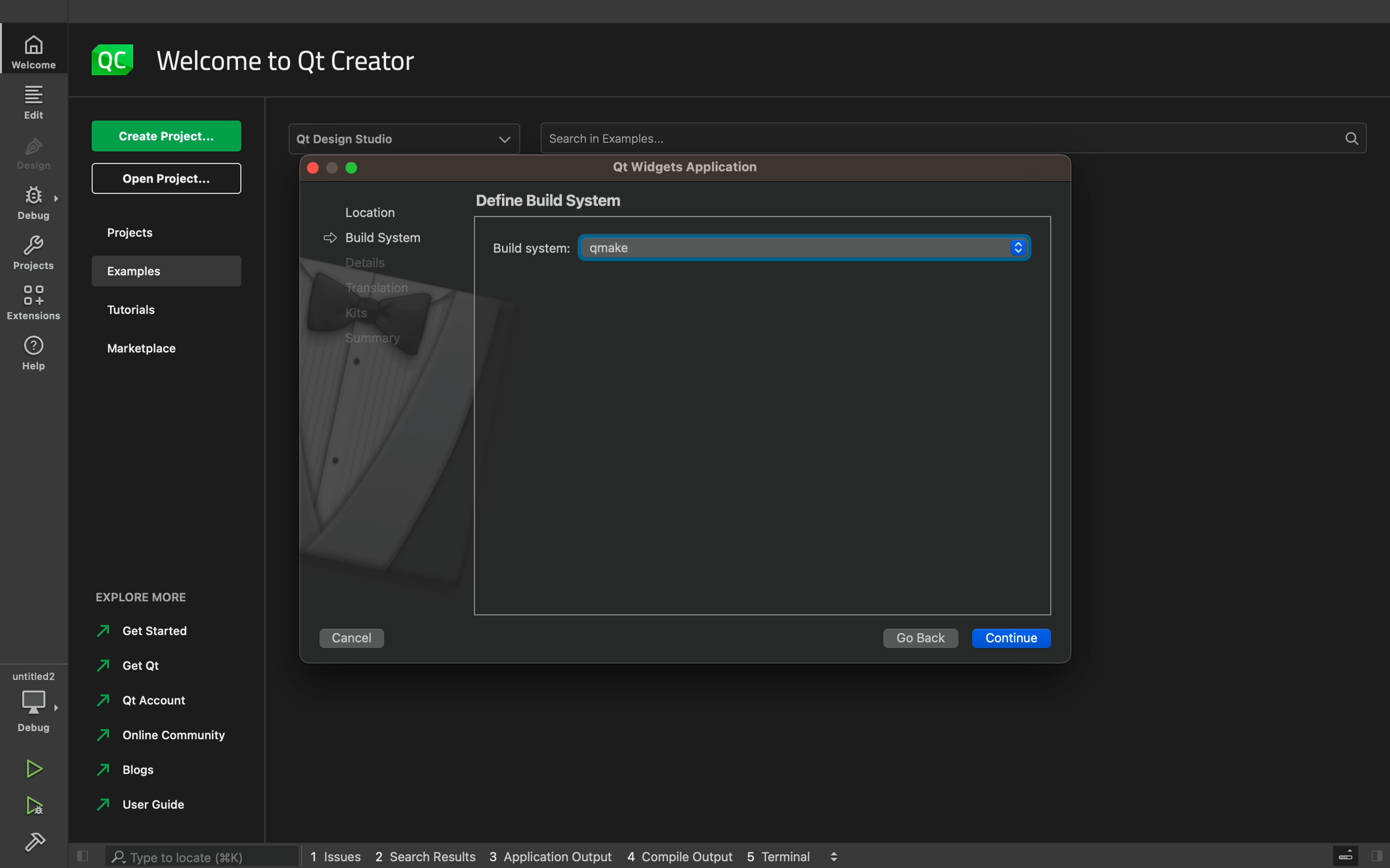 The image size is (1390, 868). Describe the element at coordinates (159, 354) in the screenshot. I see `marketplace` at that location.